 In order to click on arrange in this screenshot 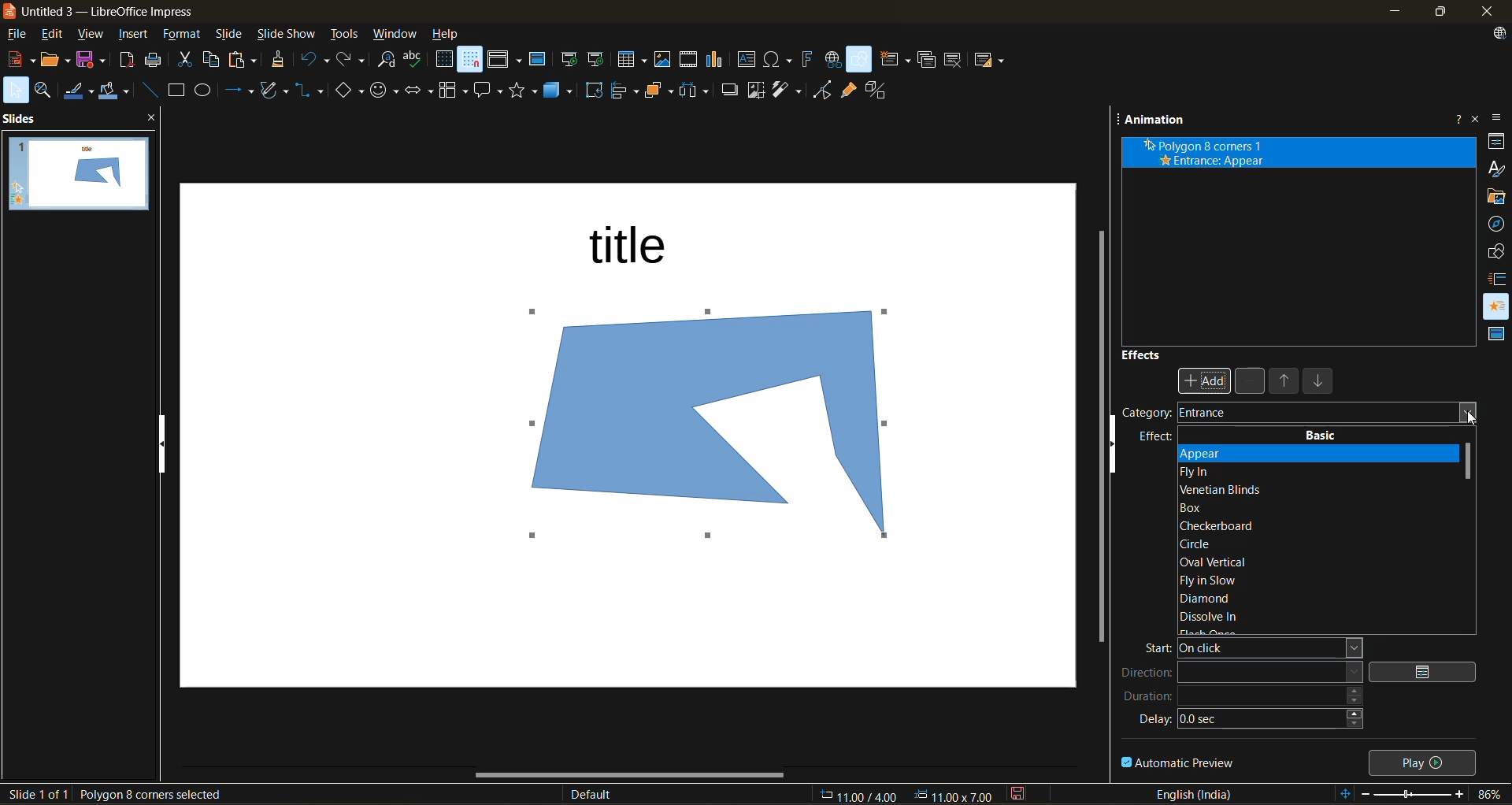, I will do `click(654, 94)`.